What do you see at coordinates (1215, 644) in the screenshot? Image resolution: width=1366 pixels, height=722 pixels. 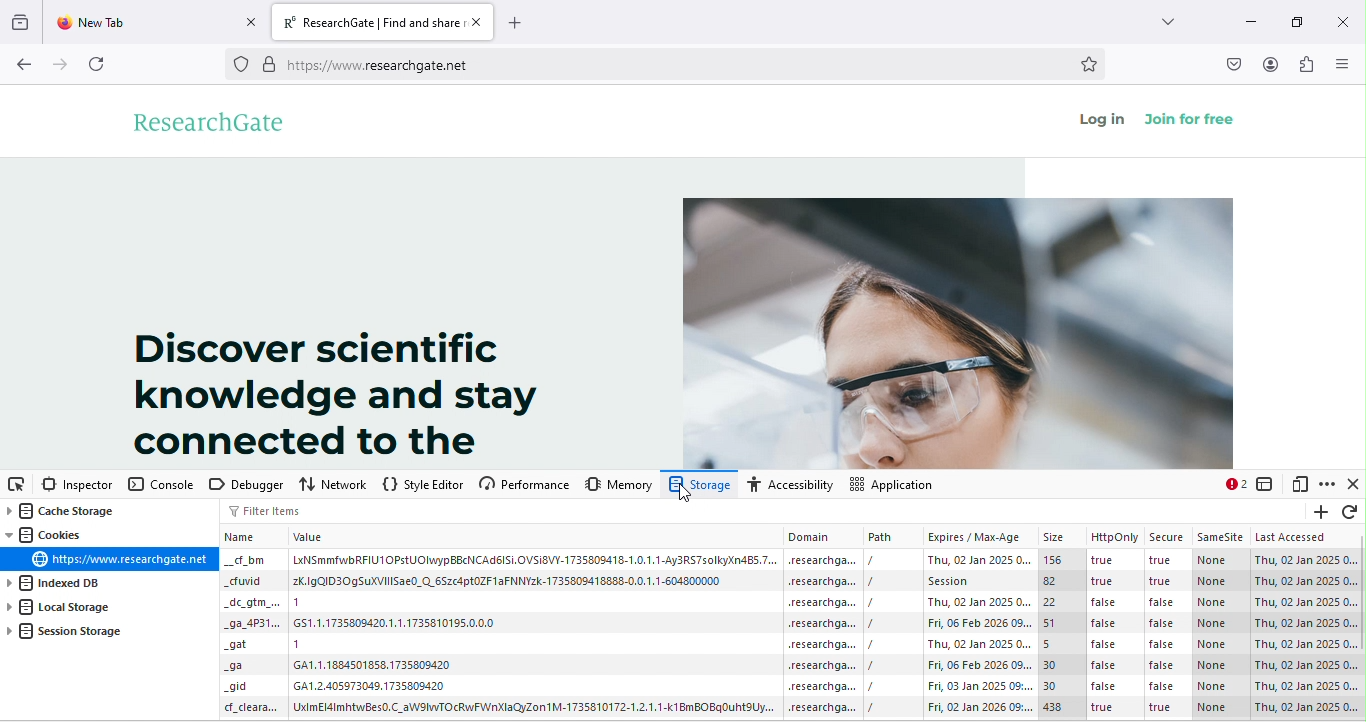 I see `none` at bounding box center [1215, 644].